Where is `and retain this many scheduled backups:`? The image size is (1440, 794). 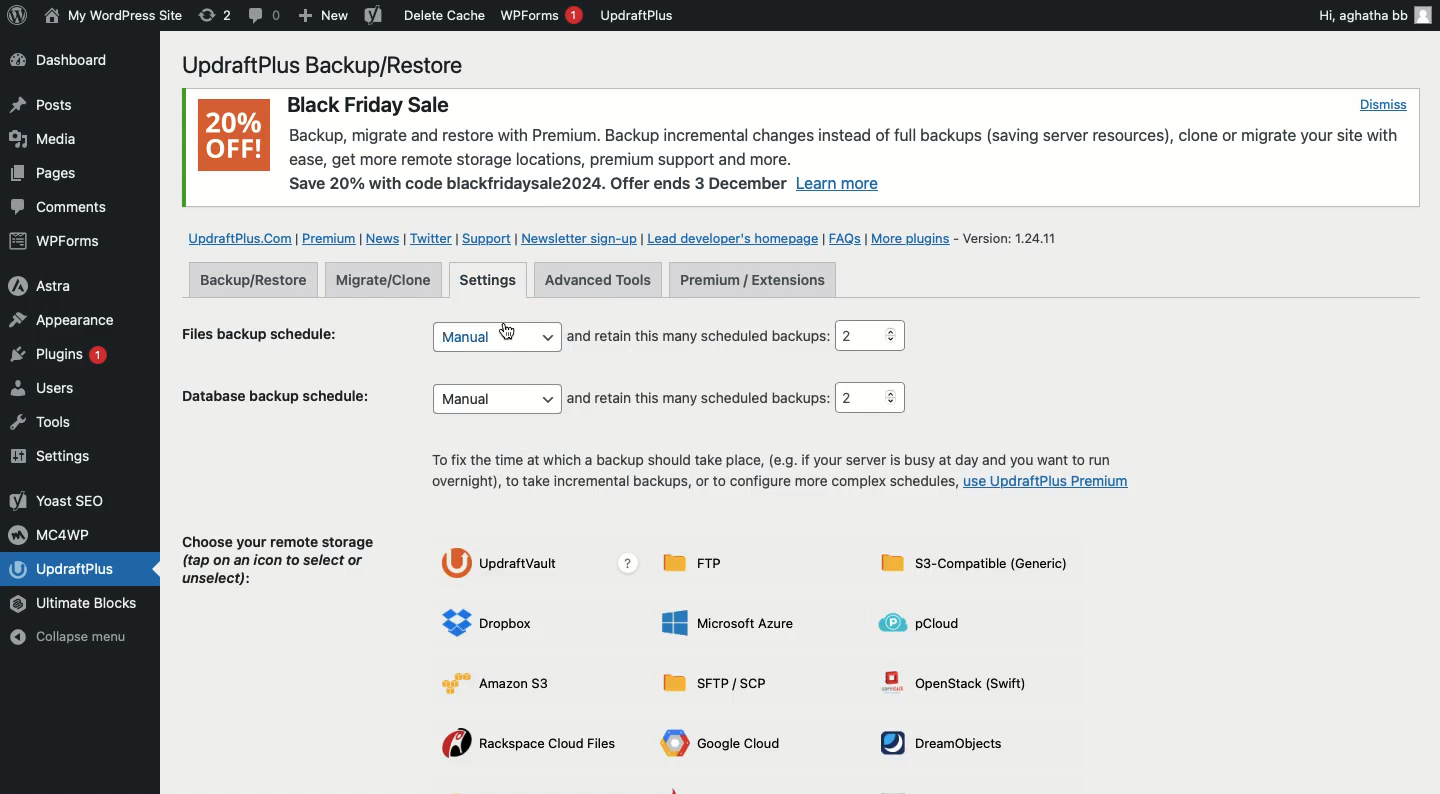
and retain this many scheduled backups: is located at coordinates (701, 399).